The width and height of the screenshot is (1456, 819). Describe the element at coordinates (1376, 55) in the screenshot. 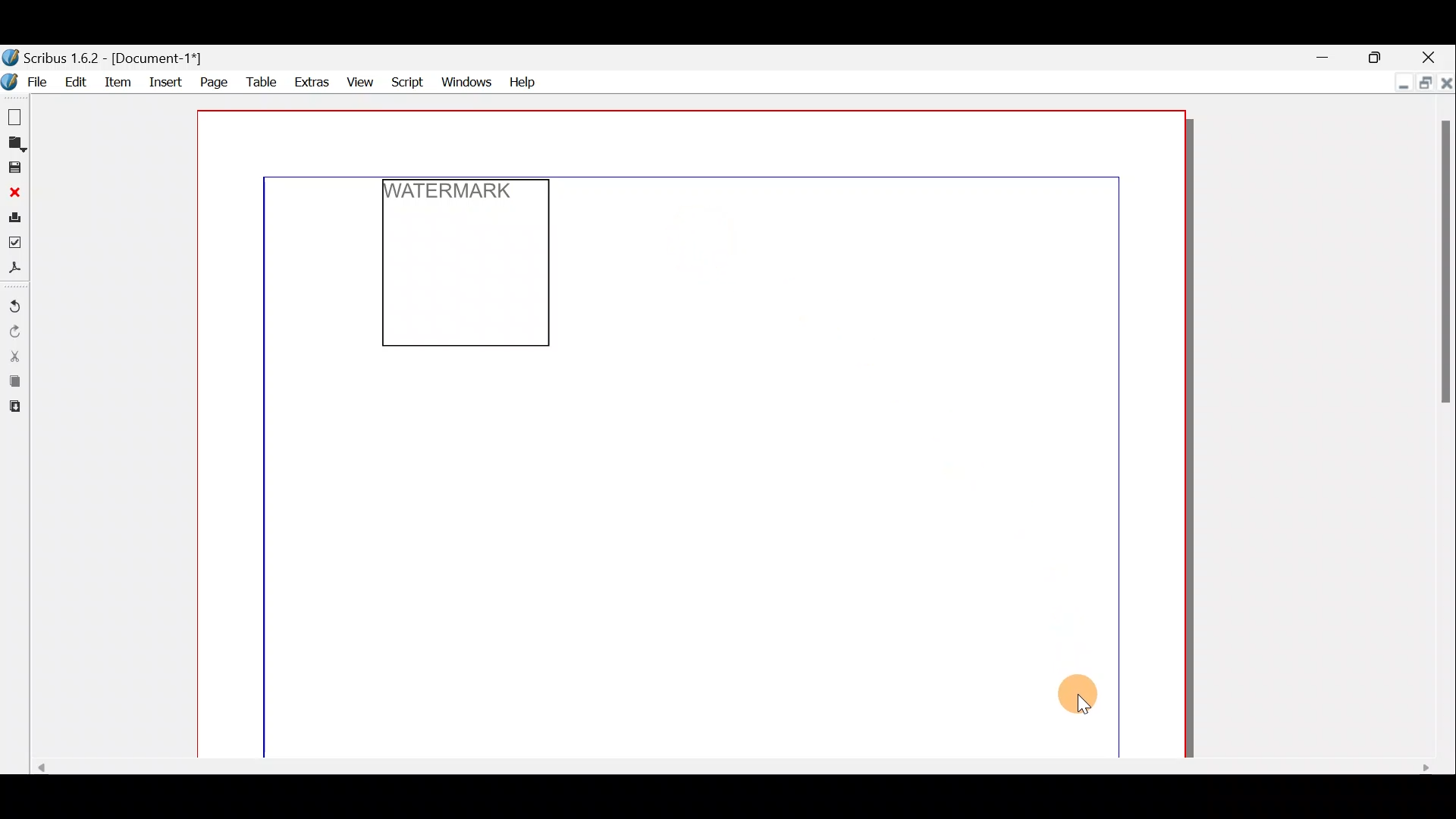

I see `Maximise` at that location.